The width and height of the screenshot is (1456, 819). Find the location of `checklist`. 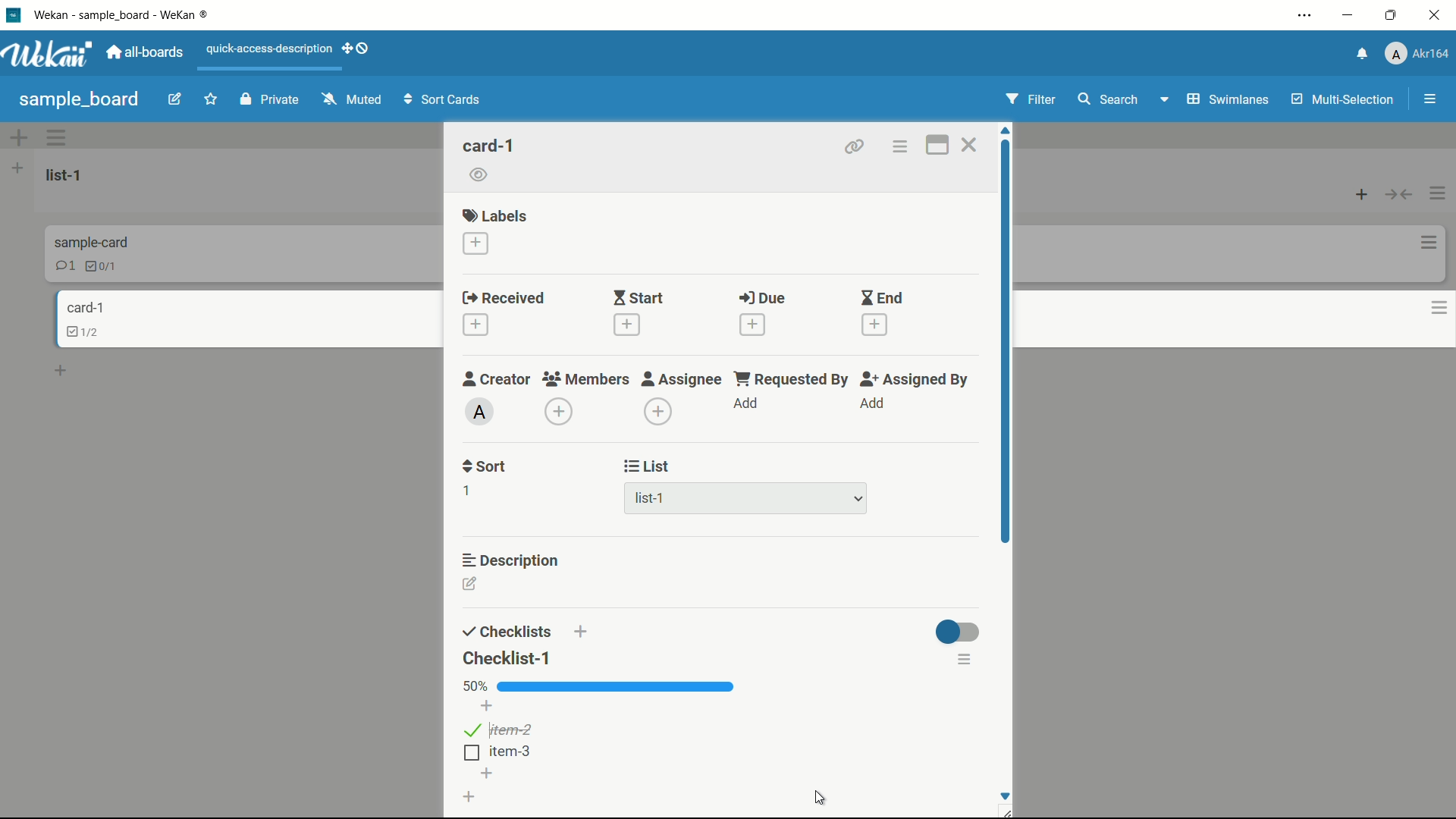

checklist is located at coordinates (80, 334).